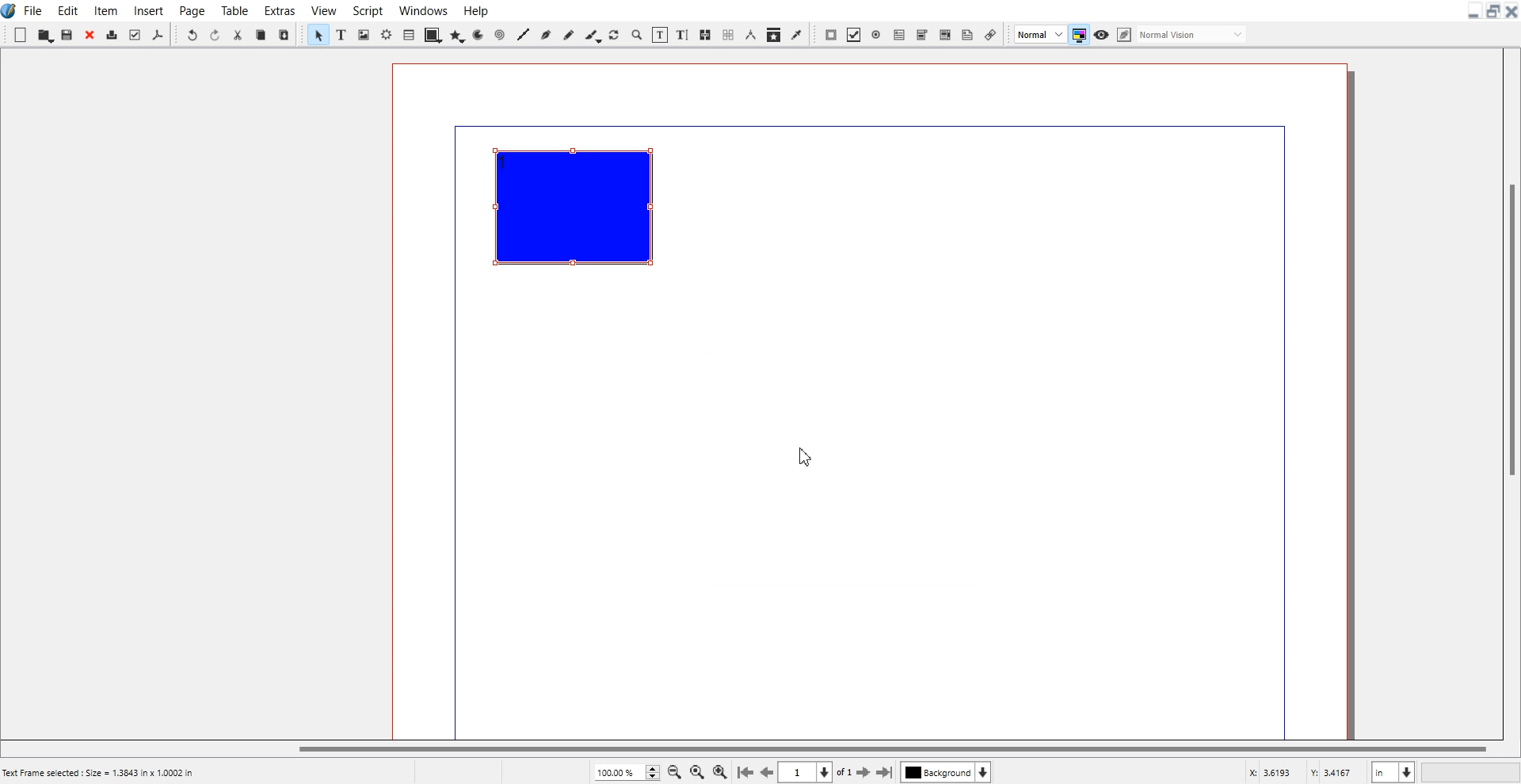  I want to click on Zoom Out, so click(674, 771).